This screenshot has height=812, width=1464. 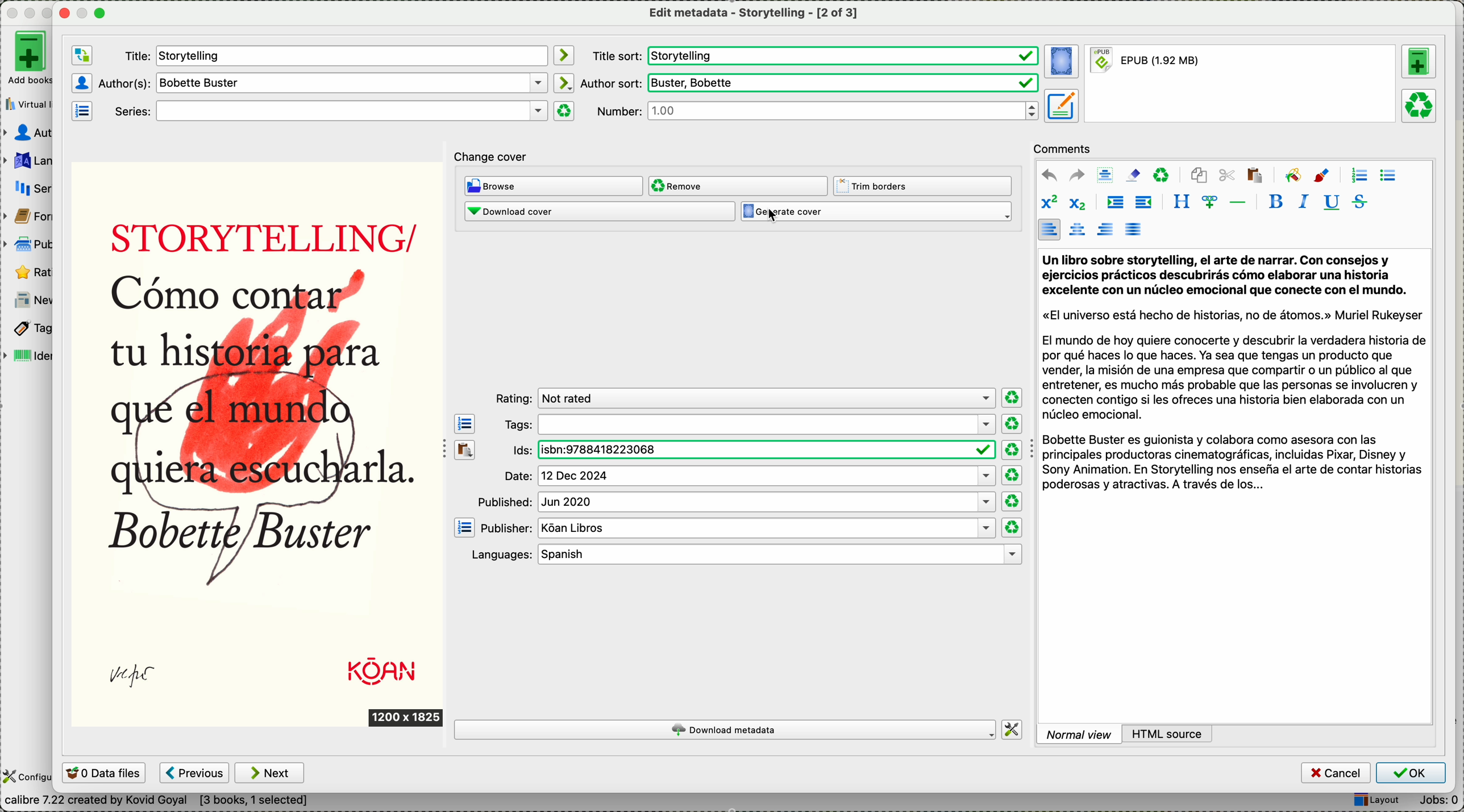 What do you see at coordinates (1200, 177) in the screenshot?
I see `copy` at bounding box center [1200, 177].